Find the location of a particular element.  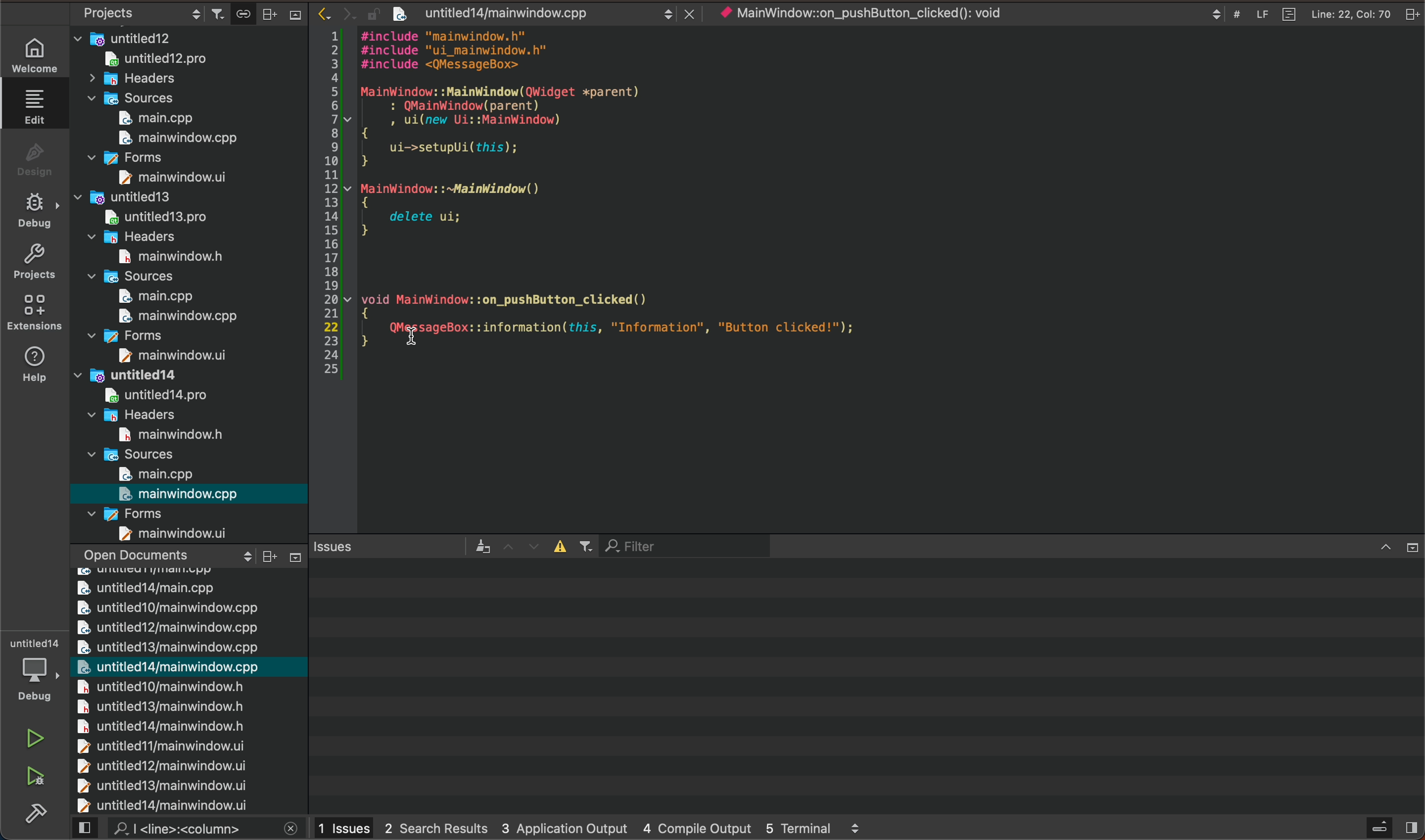

headers is located at coordinates (147, 80).